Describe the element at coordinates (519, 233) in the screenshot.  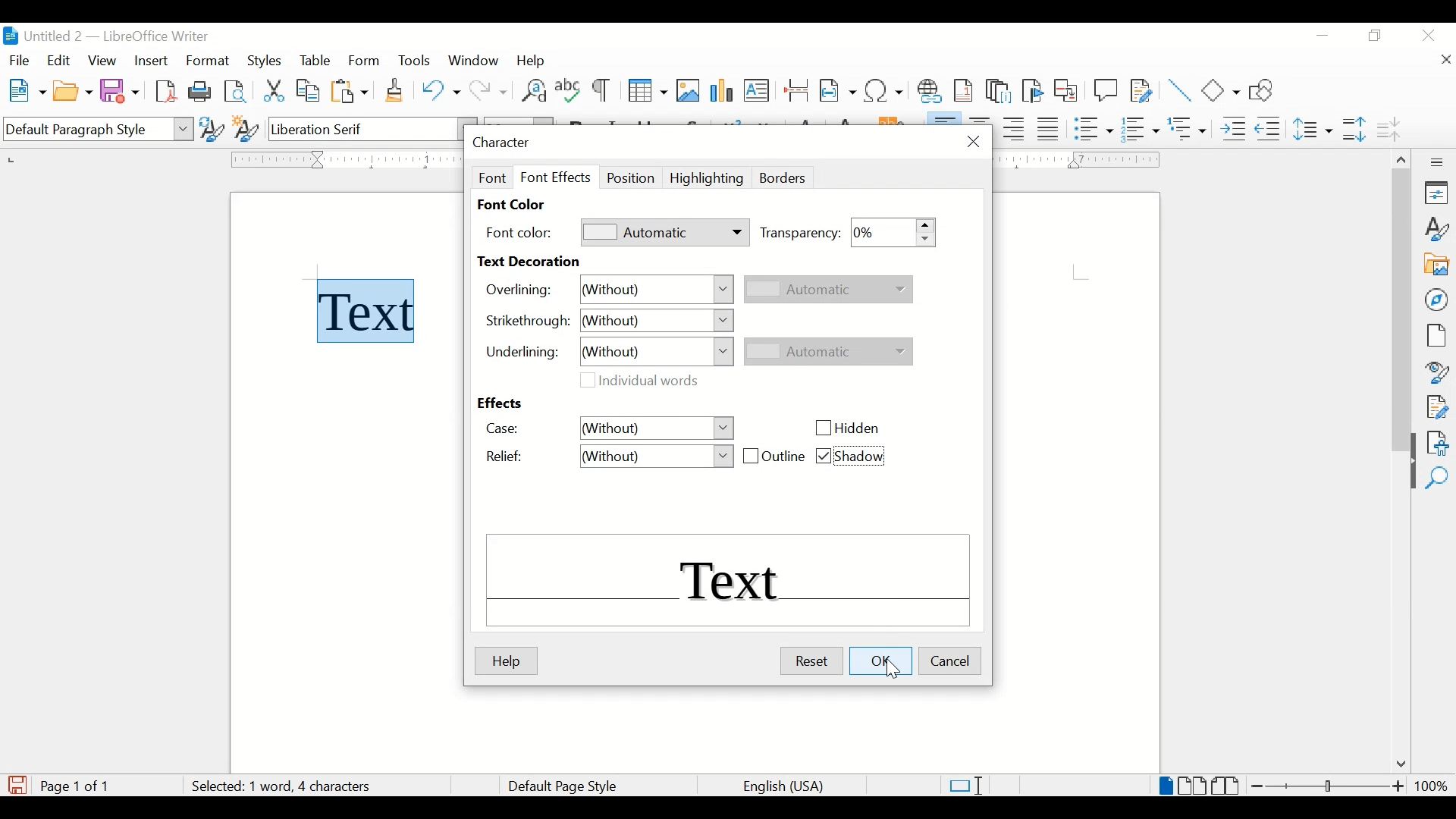
I see `font color:` at that location.